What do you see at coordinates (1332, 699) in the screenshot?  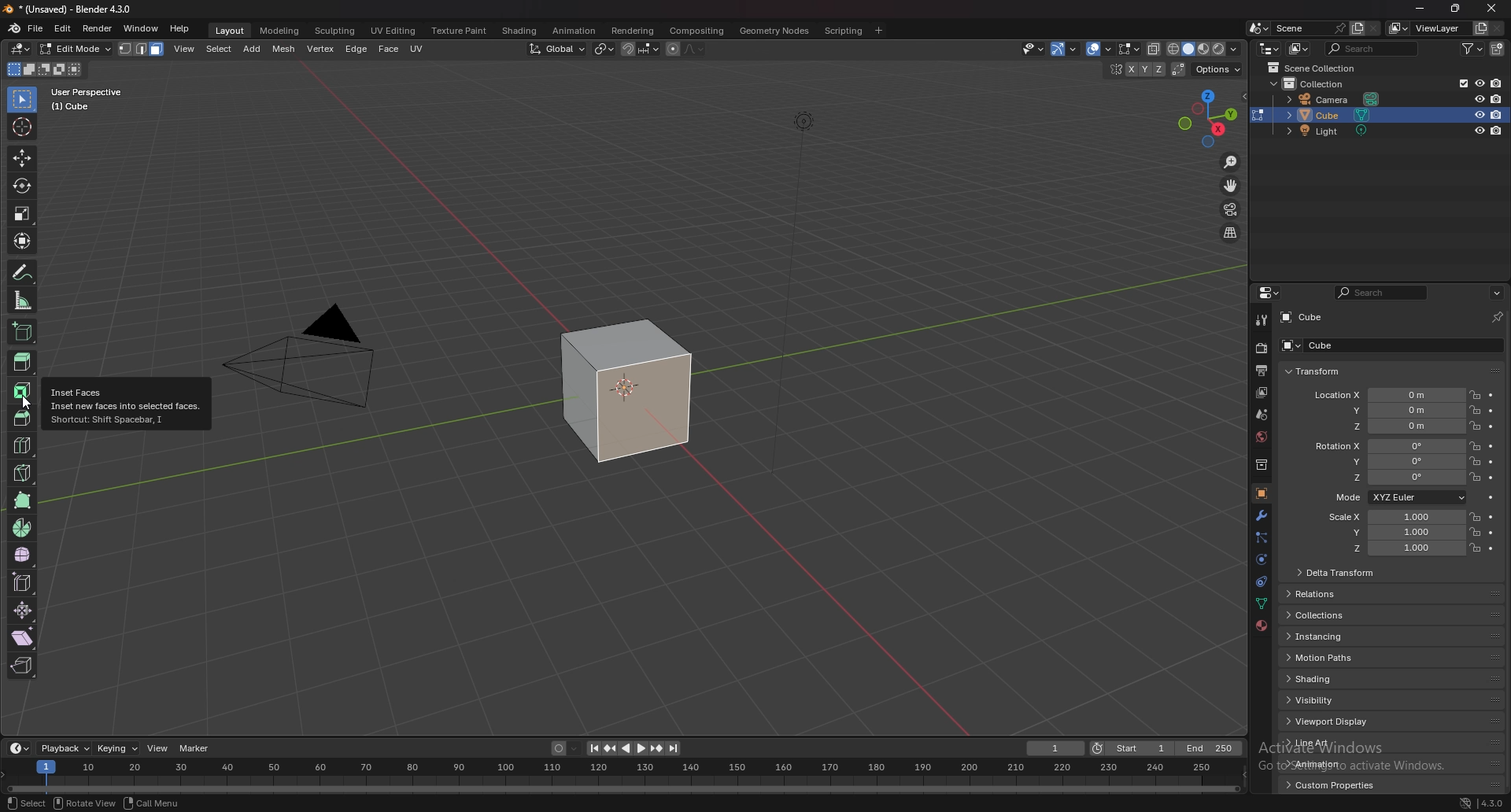 I see `visibility` at bounding box center [1332, 699].